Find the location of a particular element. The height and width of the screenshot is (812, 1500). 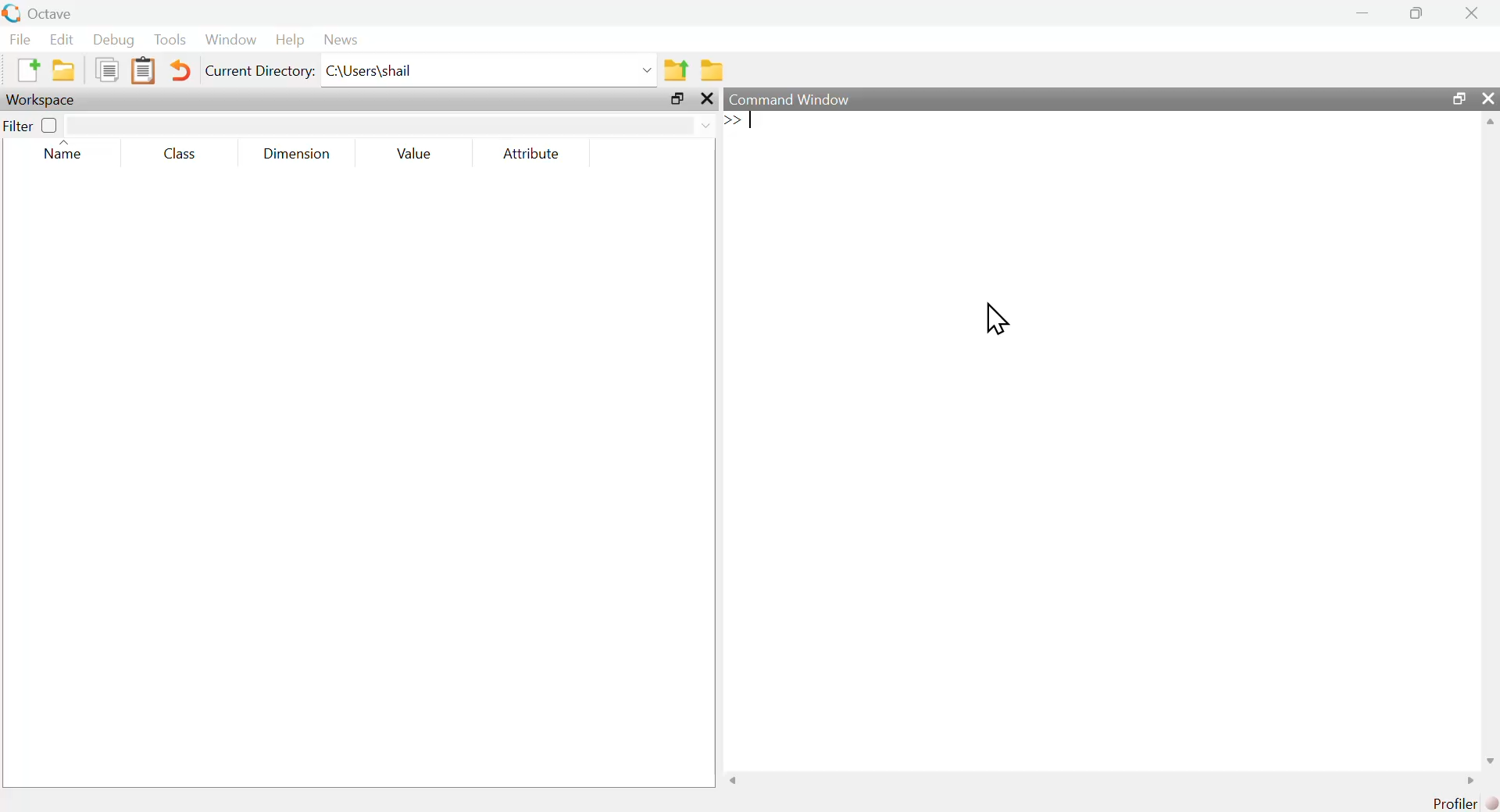

scroll down is located at coordinates (1486, 760).